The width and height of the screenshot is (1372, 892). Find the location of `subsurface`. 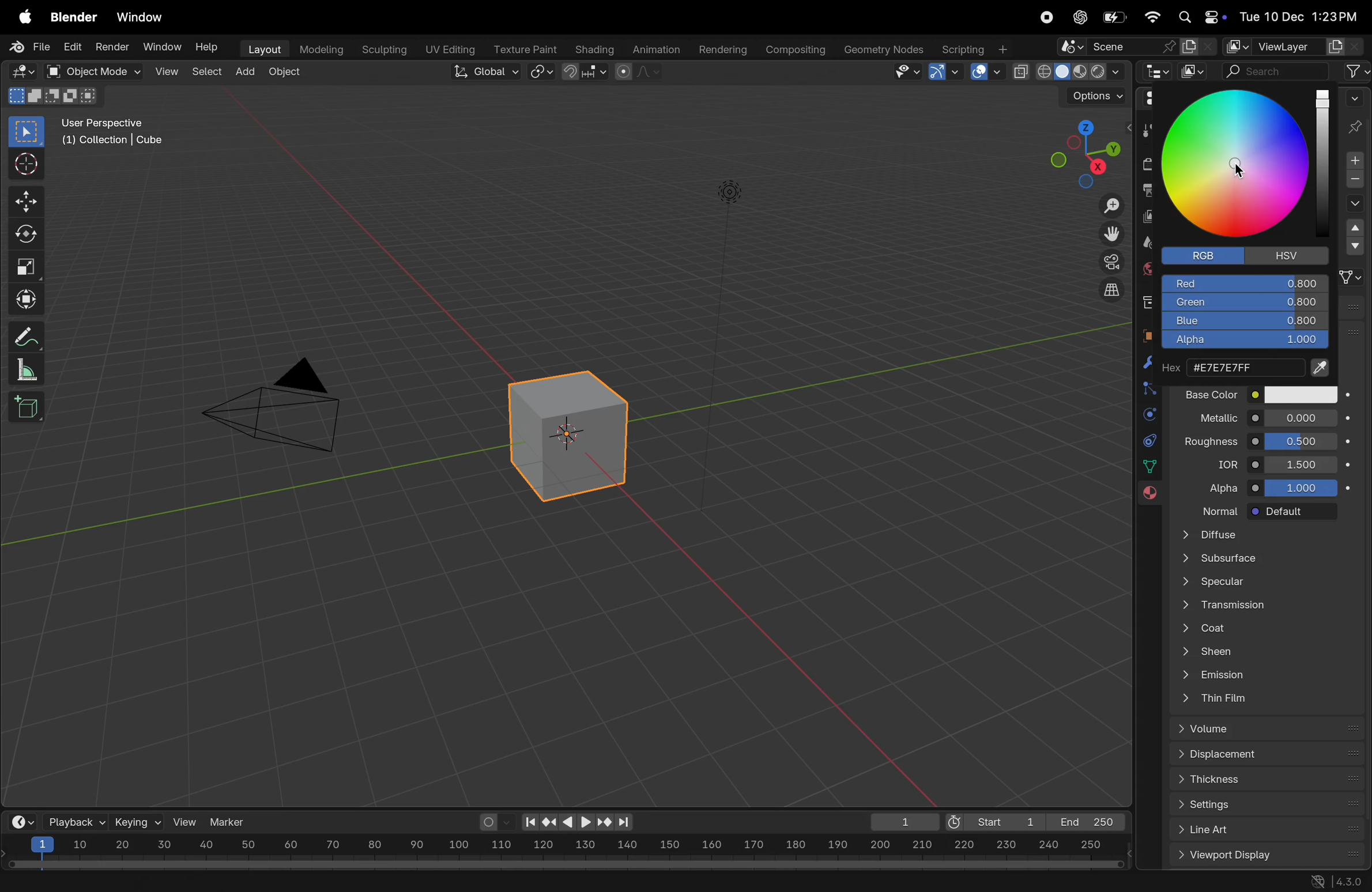

subsurface is located at coordinates (1260, 560).